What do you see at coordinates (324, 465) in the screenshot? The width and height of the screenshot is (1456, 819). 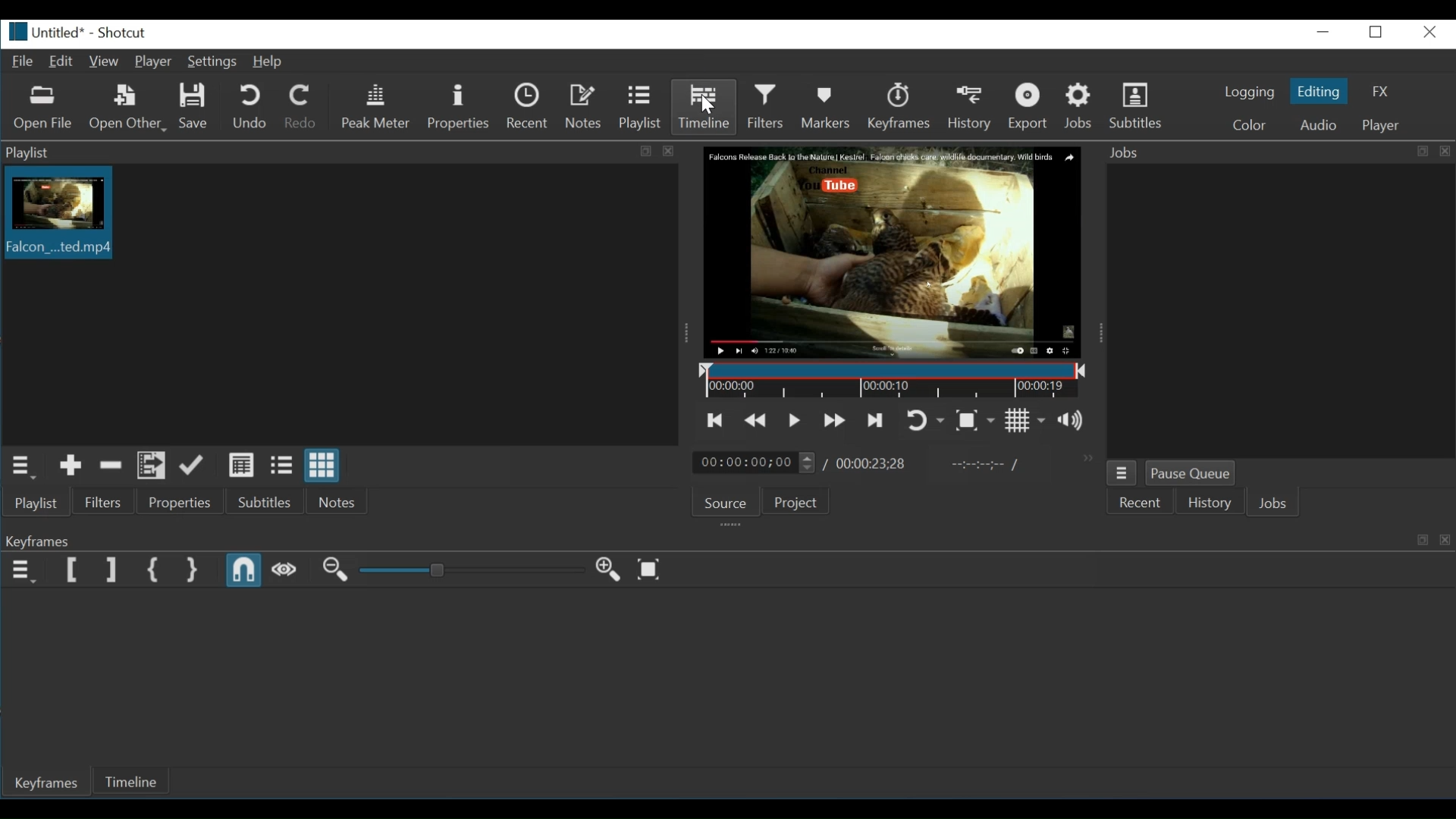 I see `View as icon` at bounding box center [324, 465].